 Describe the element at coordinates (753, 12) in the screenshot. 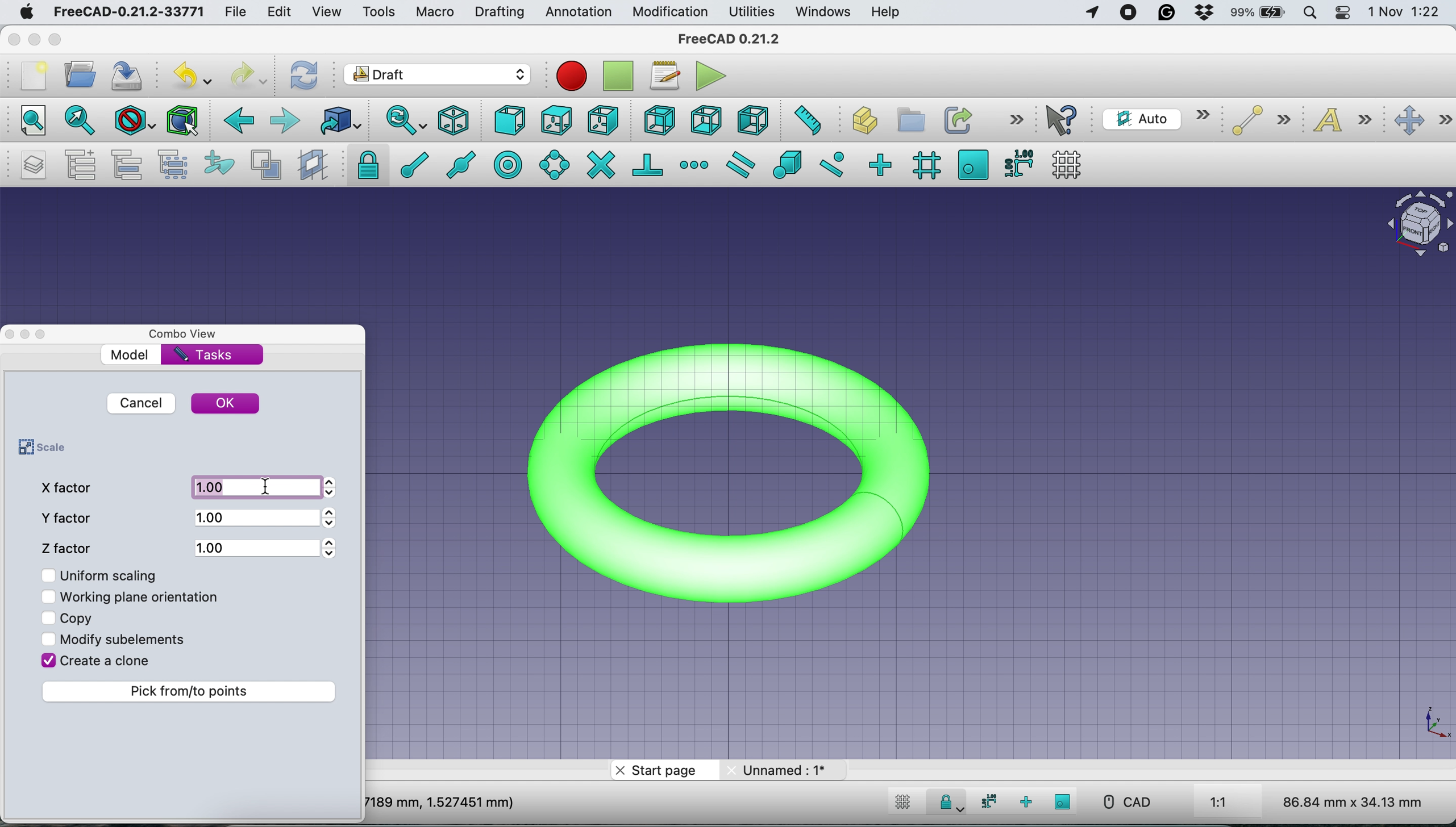

I see `utilities` at that location.